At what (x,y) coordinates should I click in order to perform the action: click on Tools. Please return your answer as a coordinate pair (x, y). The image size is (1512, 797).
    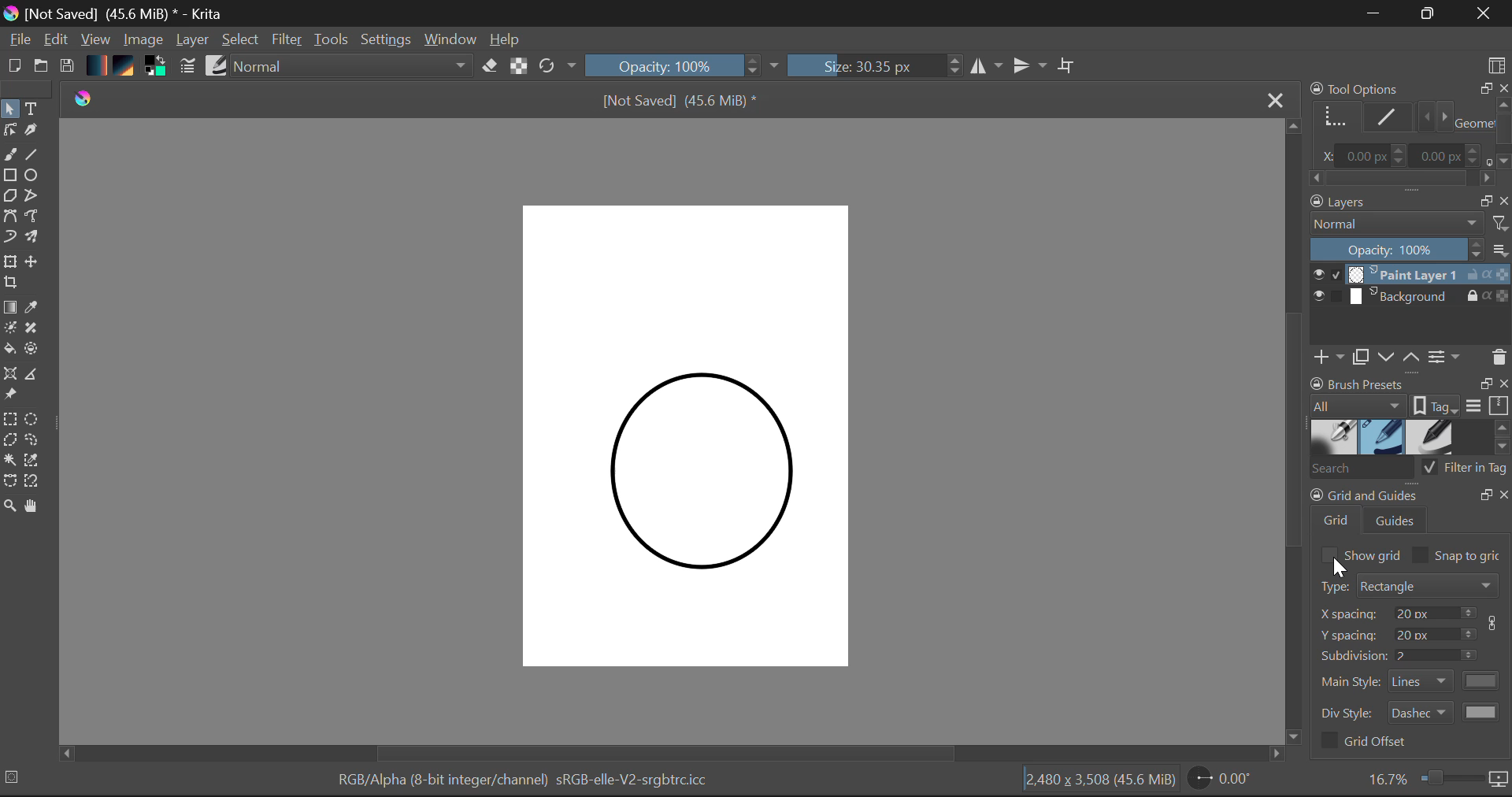
    Looking at the image, I should click on (332, 41).